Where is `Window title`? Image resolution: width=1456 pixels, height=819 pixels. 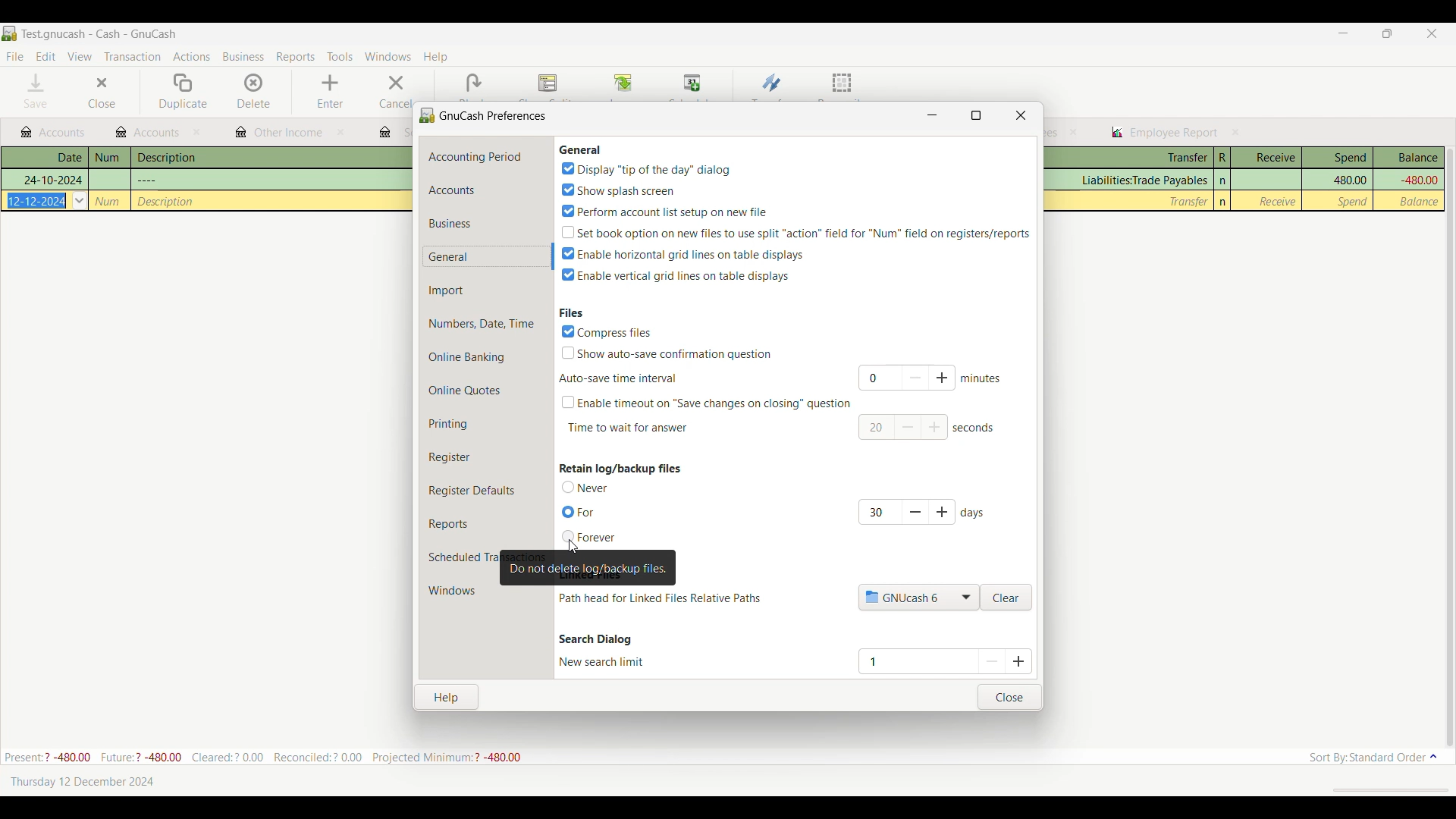
Window title is located at coordinates (485, 115).